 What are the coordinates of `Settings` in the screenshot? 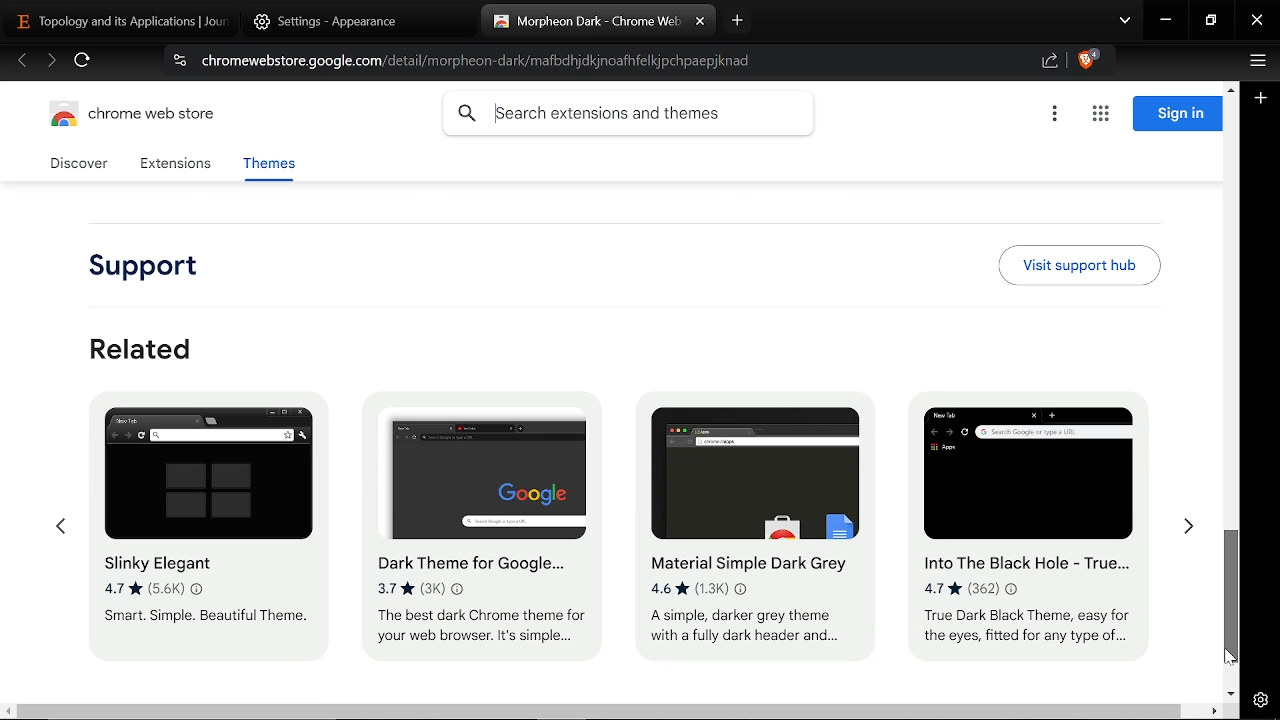 It's located at (1260, 700).